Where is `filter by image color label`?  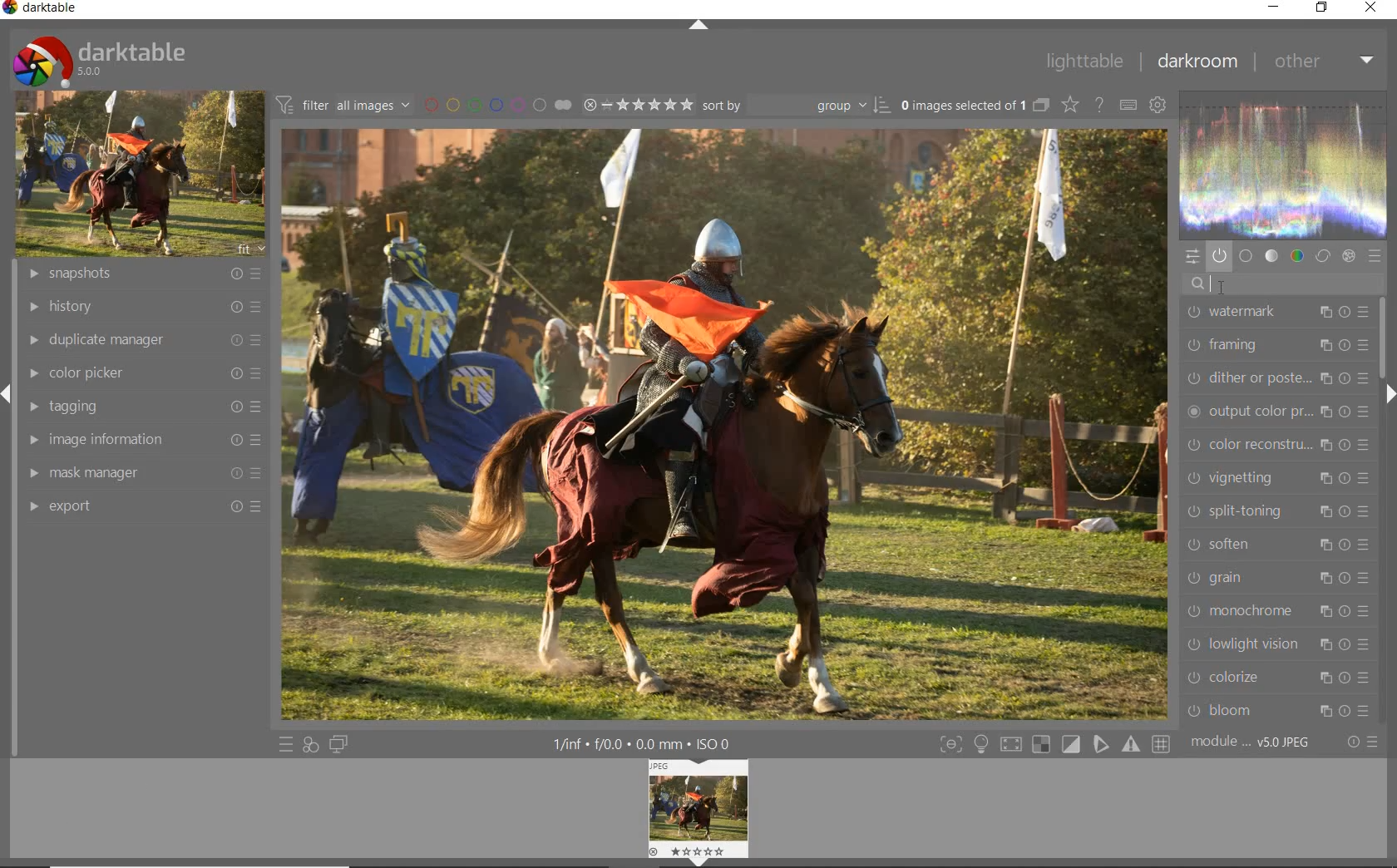 filter by image color label is located at coordinates (496, 104).